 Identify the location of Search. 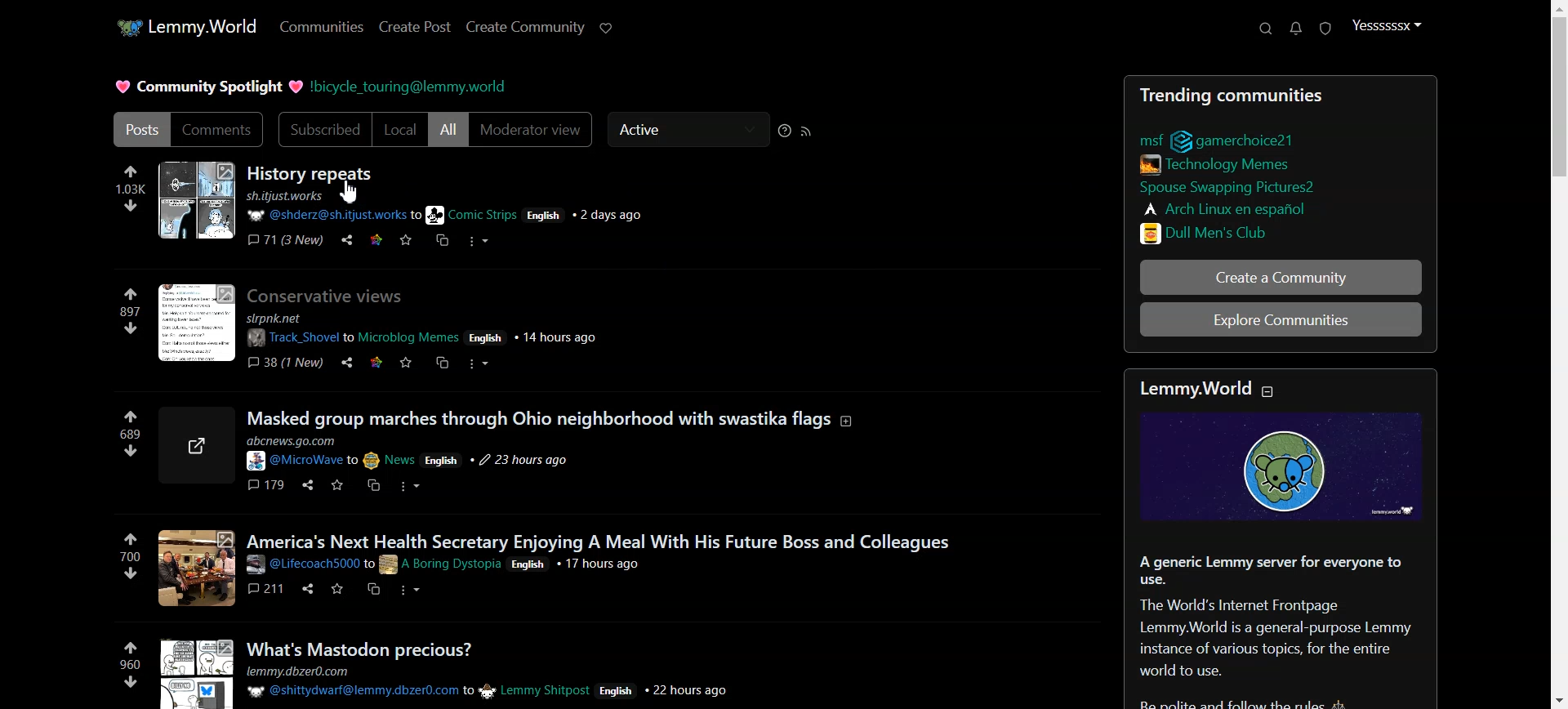
(1265, 29).